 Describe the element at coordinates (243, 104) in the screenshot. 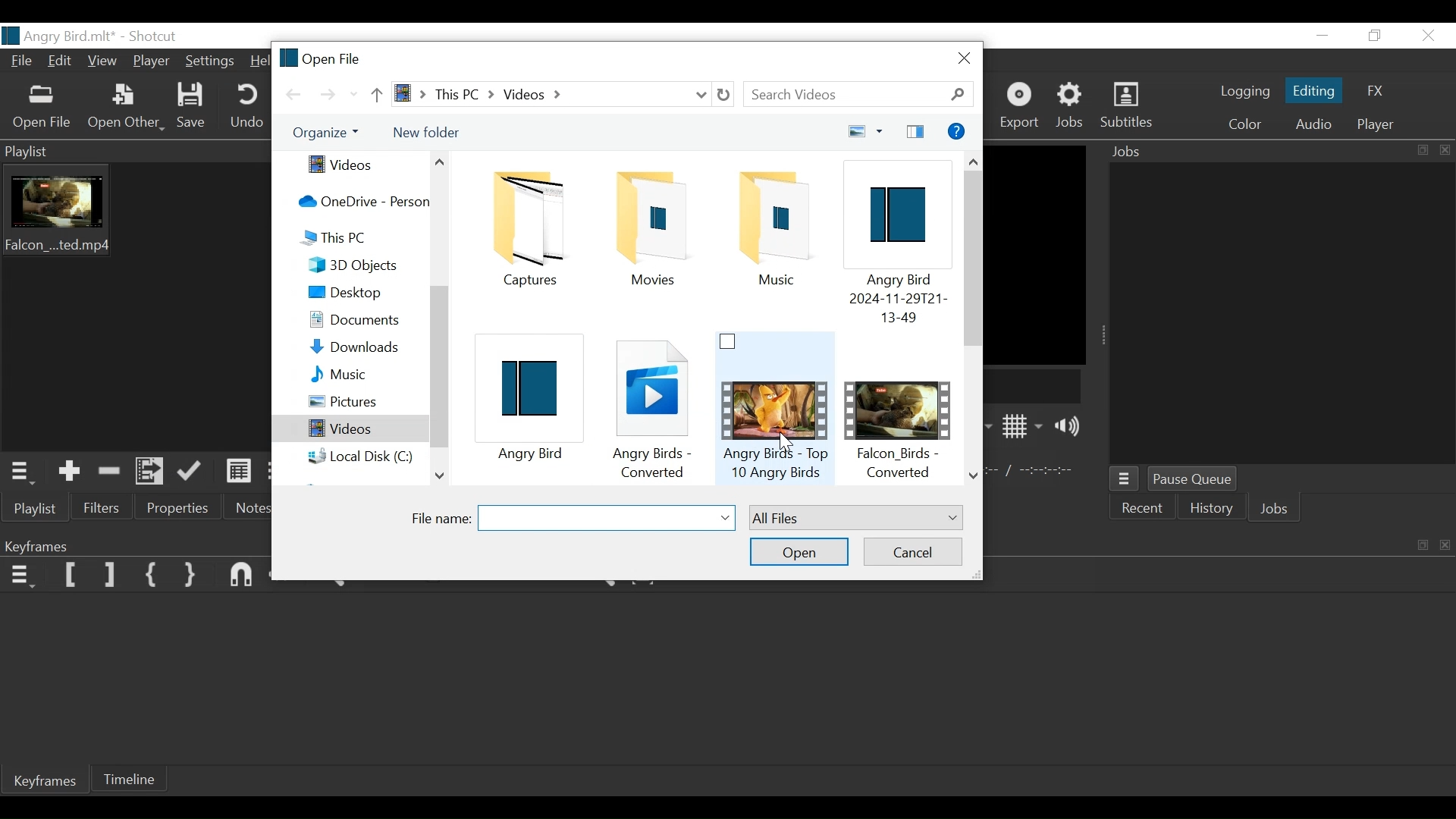

I see `Undo` at that location.